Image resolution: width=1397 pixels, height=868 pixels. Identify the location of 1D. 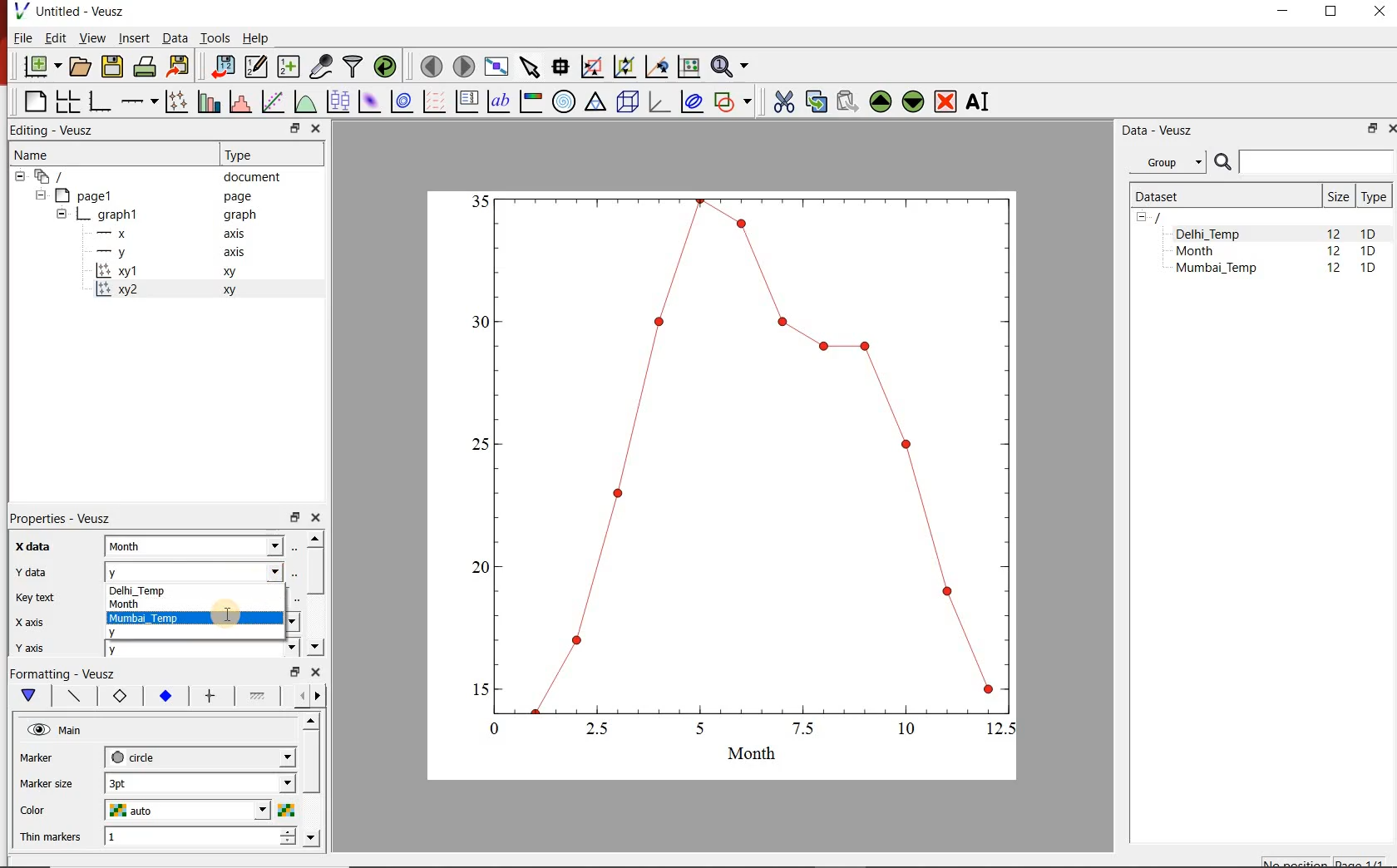
(1369, 234).